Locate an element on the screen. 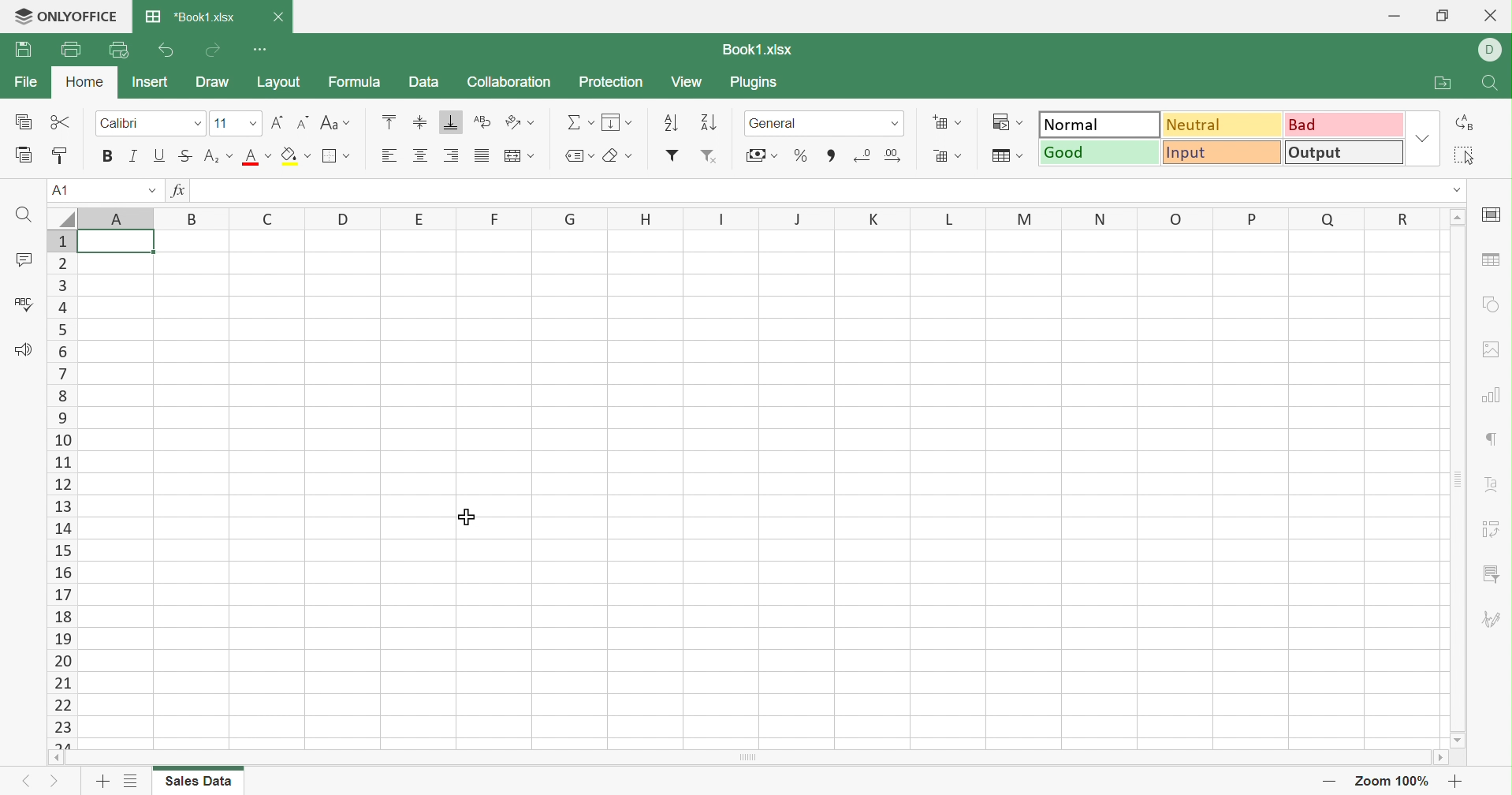 The height and width of the screenshot is (795, 1512). Drop Down is located at coordinates (155, 188).